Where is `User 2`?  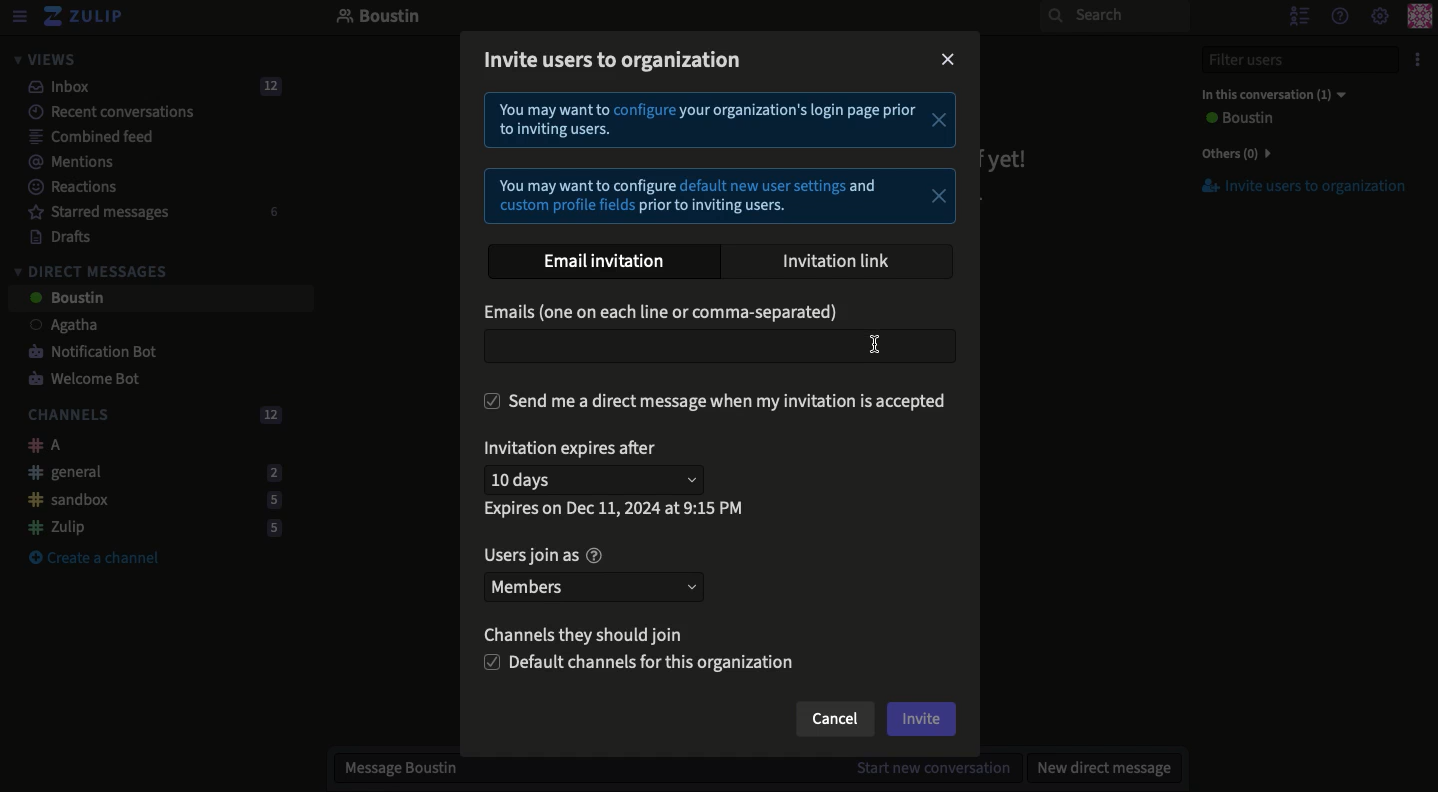 User 2 is located at coordinates (65, 299).